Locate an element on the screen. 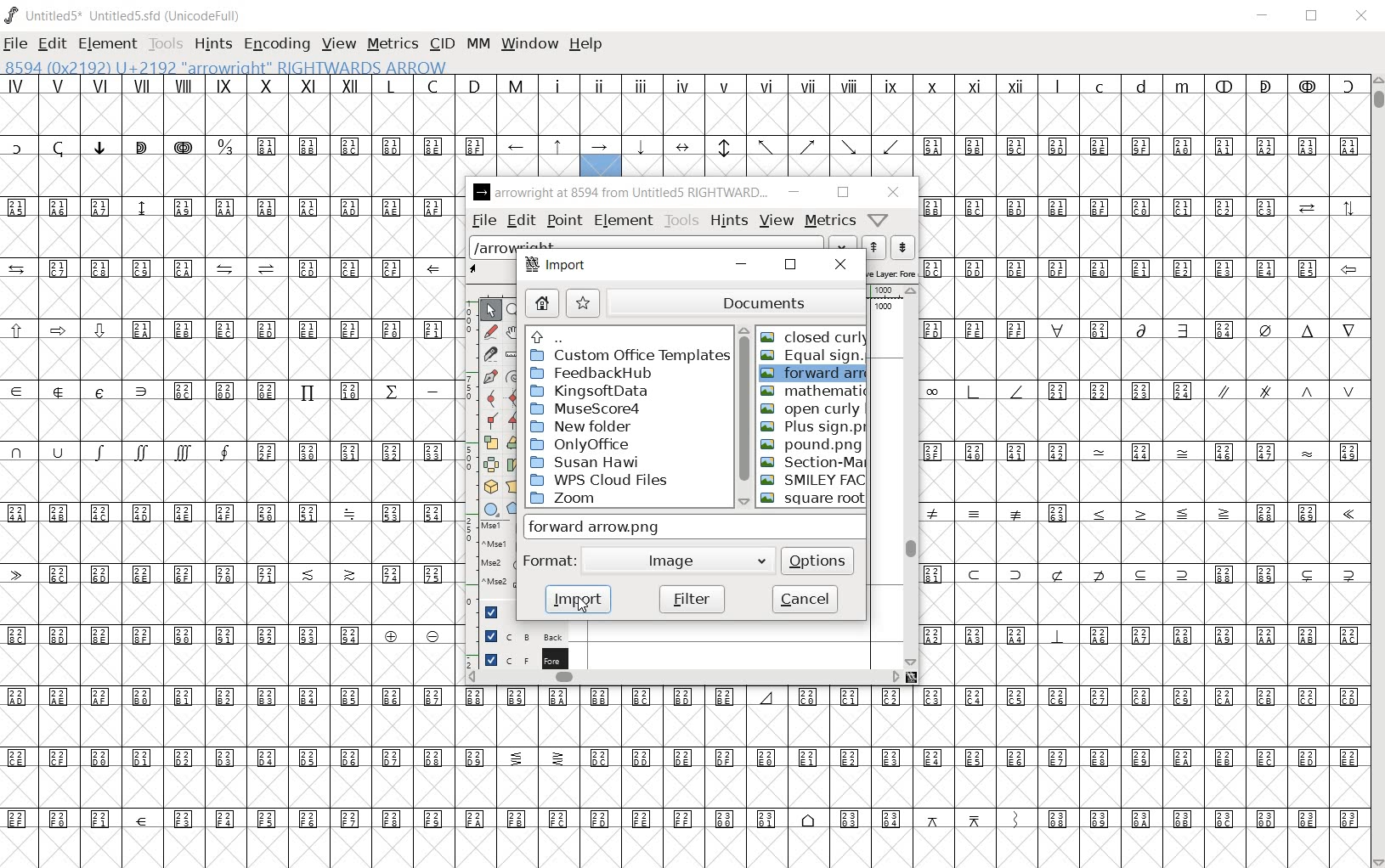  SMILEY FACE is located at coordinates (816, 480).